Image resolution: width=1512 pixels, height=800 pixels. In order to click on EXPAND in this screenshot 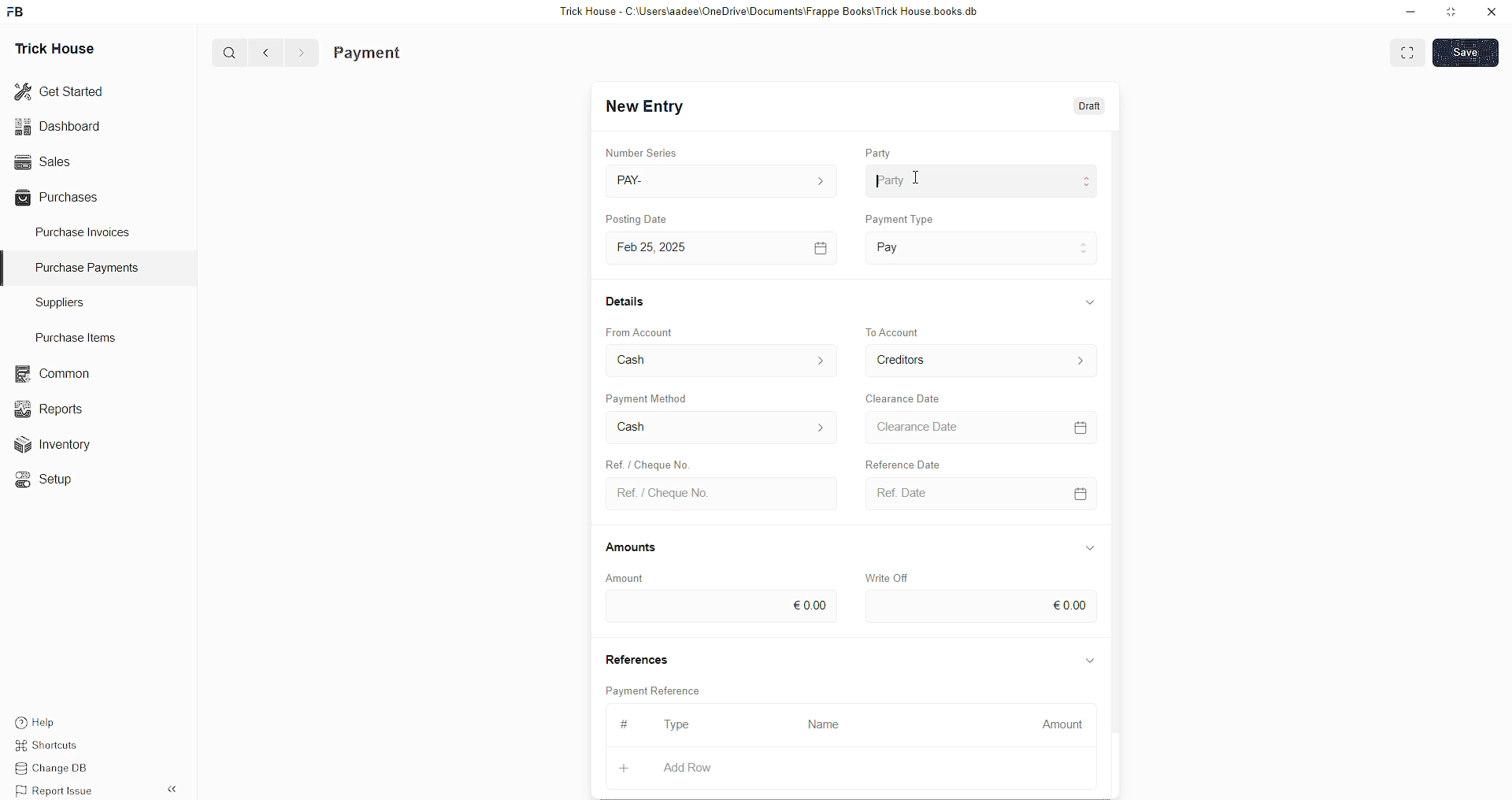, I will do `click(1410, 51)`.